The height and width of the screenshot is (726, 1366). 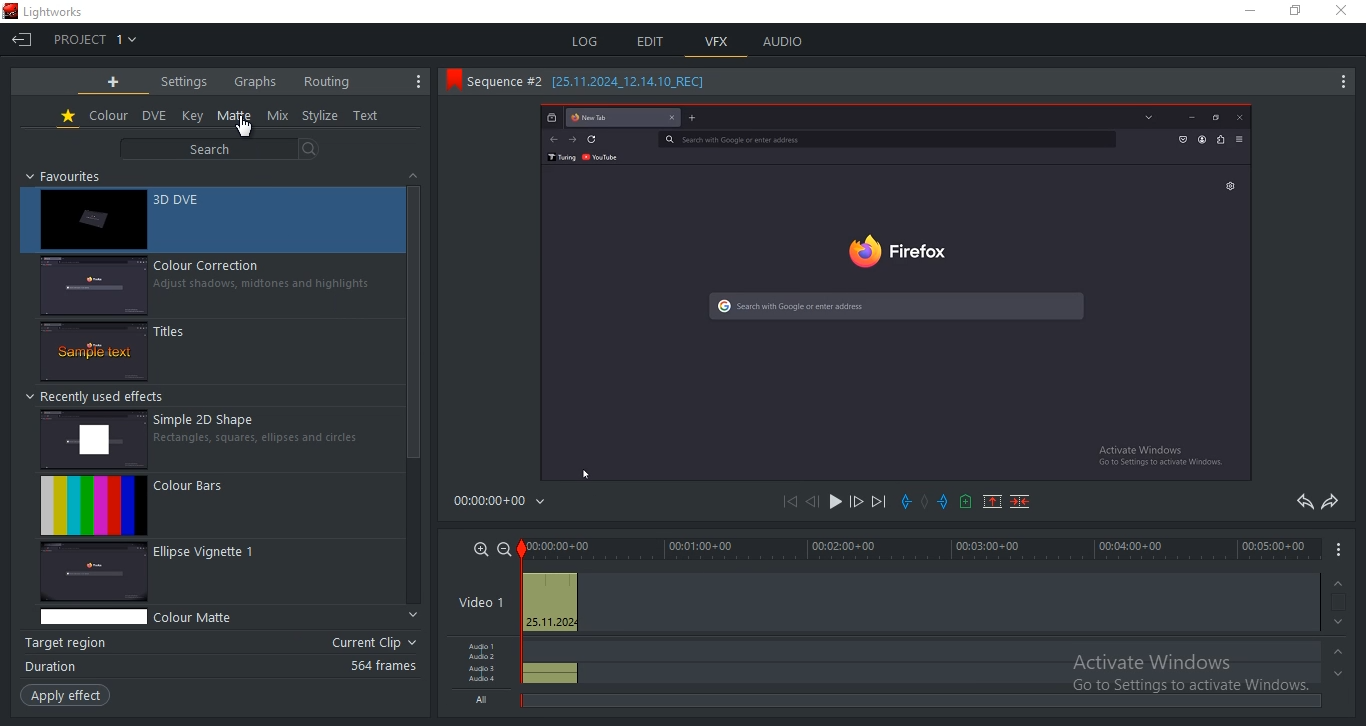 I want to click on dve, so click(x=156, y=116).